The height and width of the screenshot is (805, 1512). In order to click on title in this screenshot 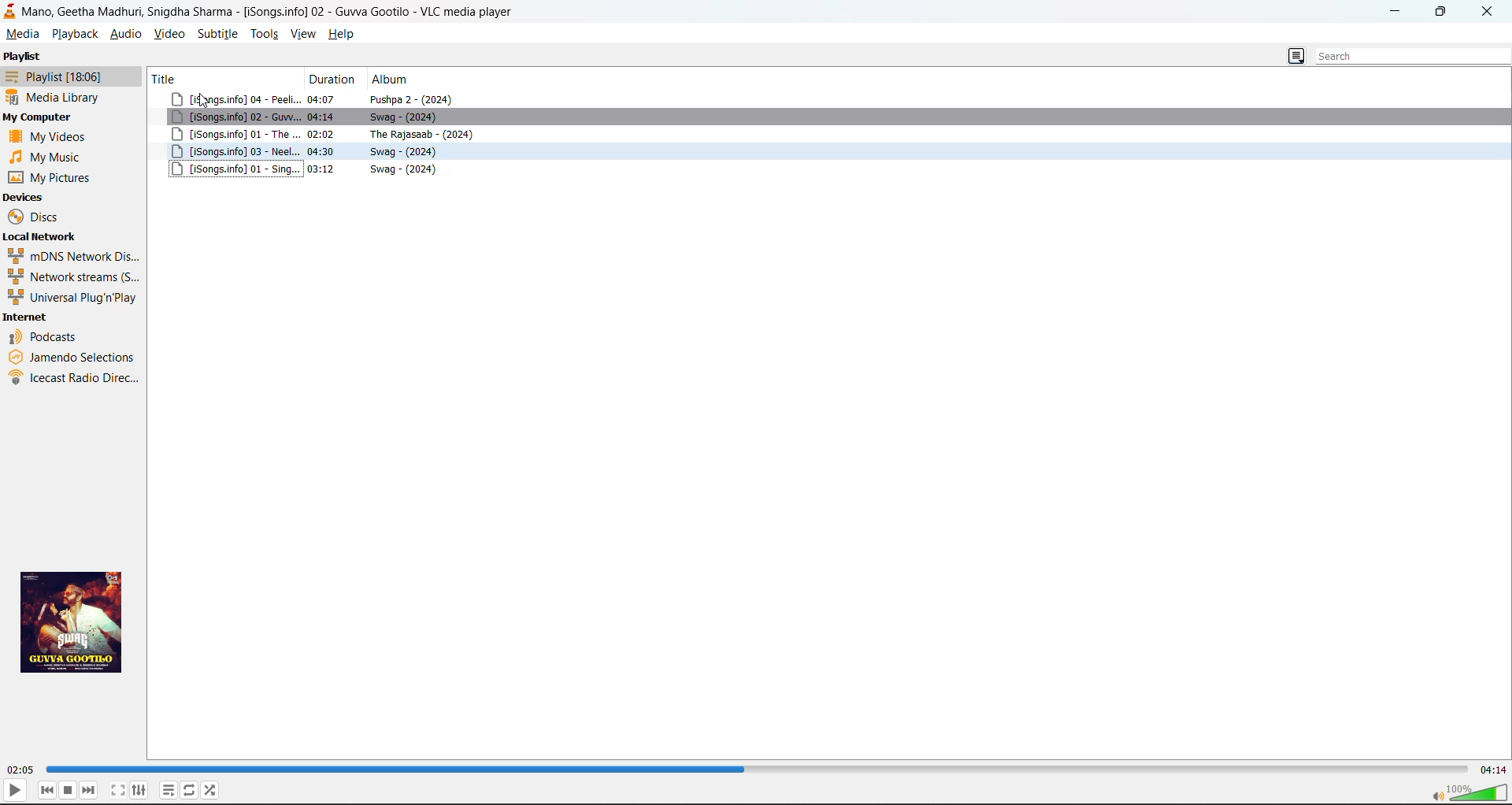, I will do `click(221, 78)`.